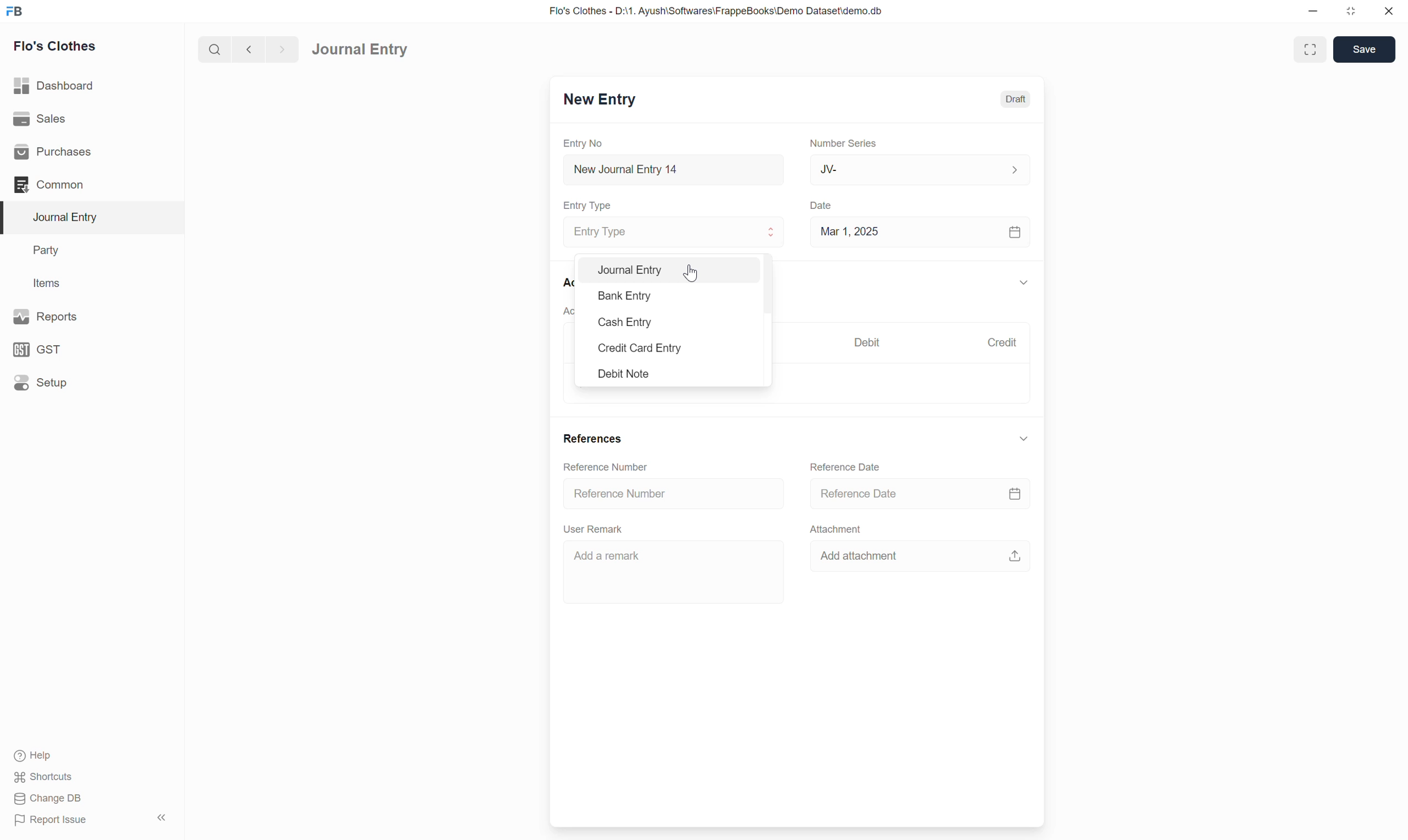  I want to click on Dashboard, so click(55, 85).